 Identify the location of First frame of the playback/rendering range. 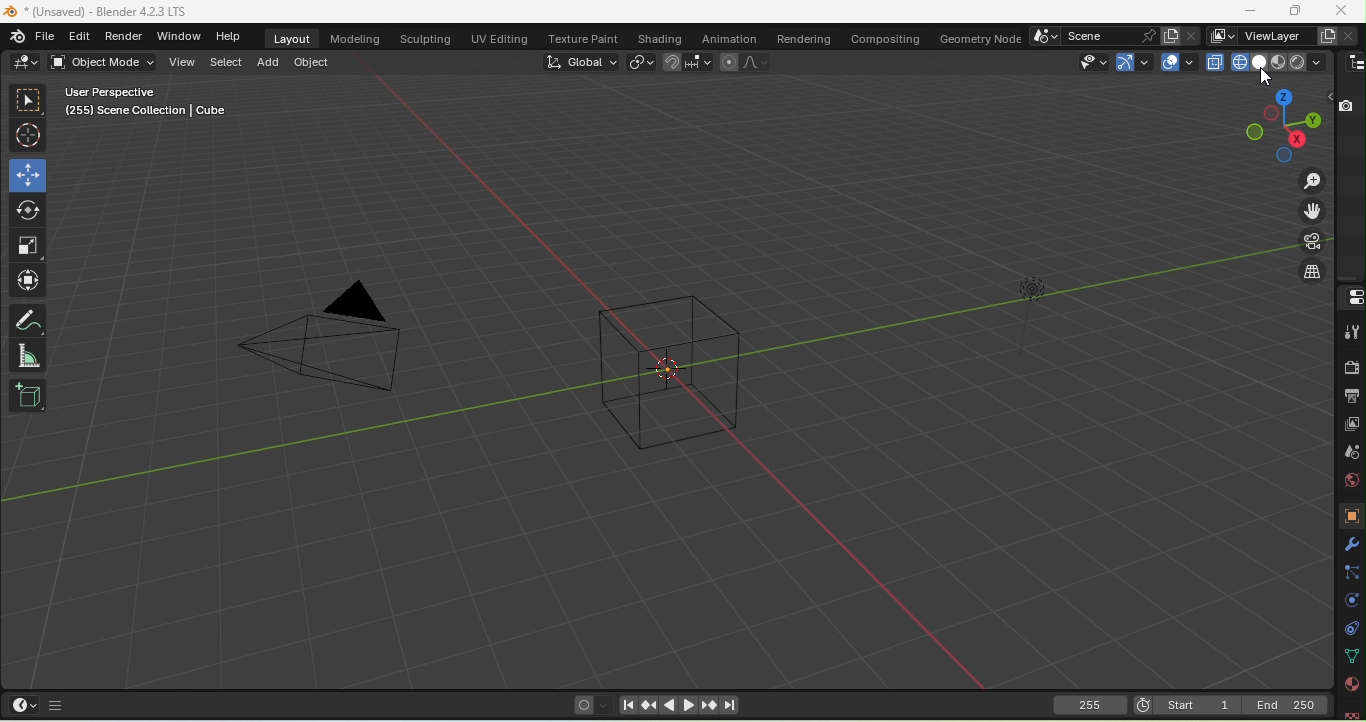
(1197, 704).